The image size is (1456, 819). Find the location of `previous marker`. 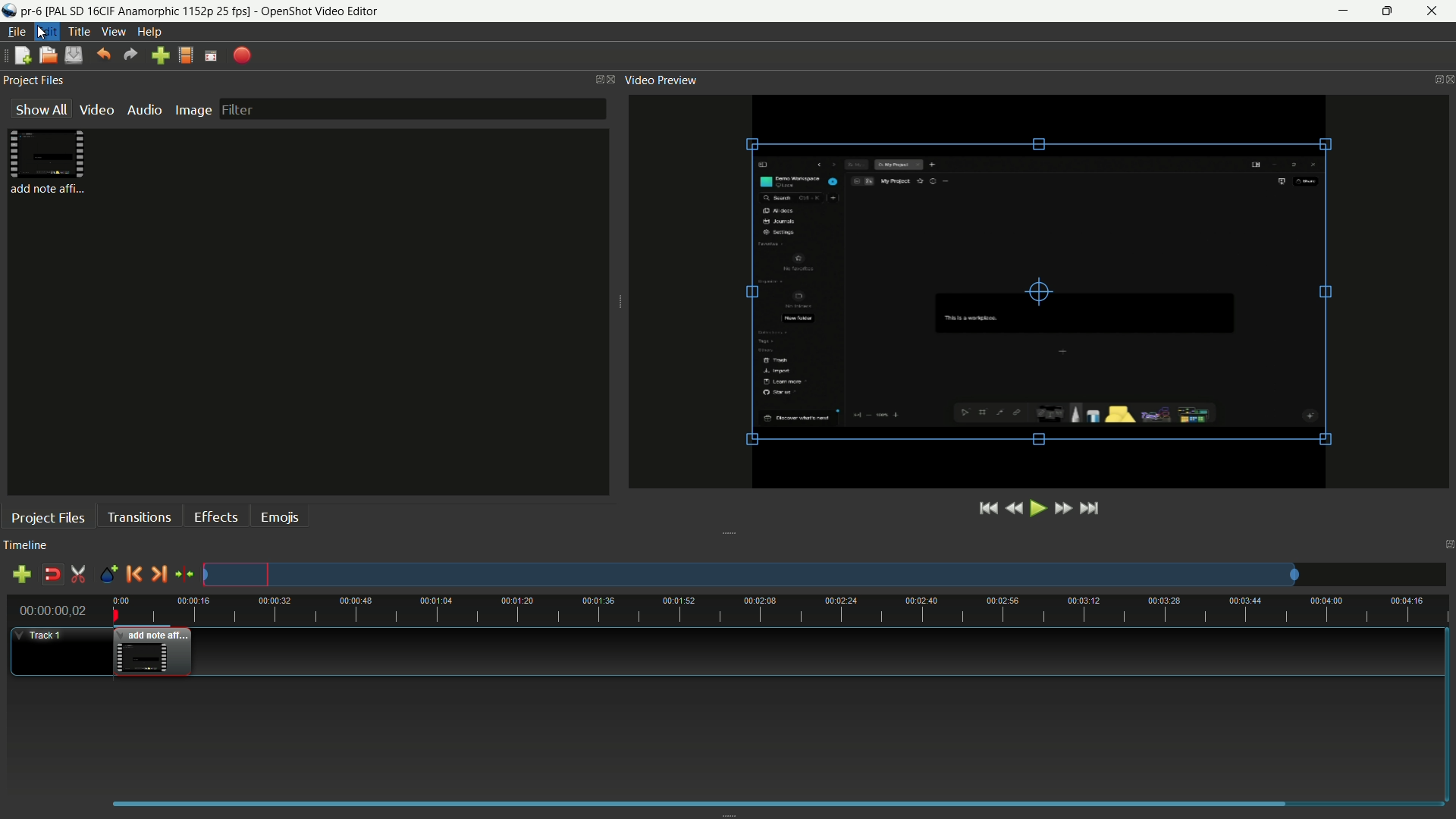

previous marker is located at coordinates (133, 574).